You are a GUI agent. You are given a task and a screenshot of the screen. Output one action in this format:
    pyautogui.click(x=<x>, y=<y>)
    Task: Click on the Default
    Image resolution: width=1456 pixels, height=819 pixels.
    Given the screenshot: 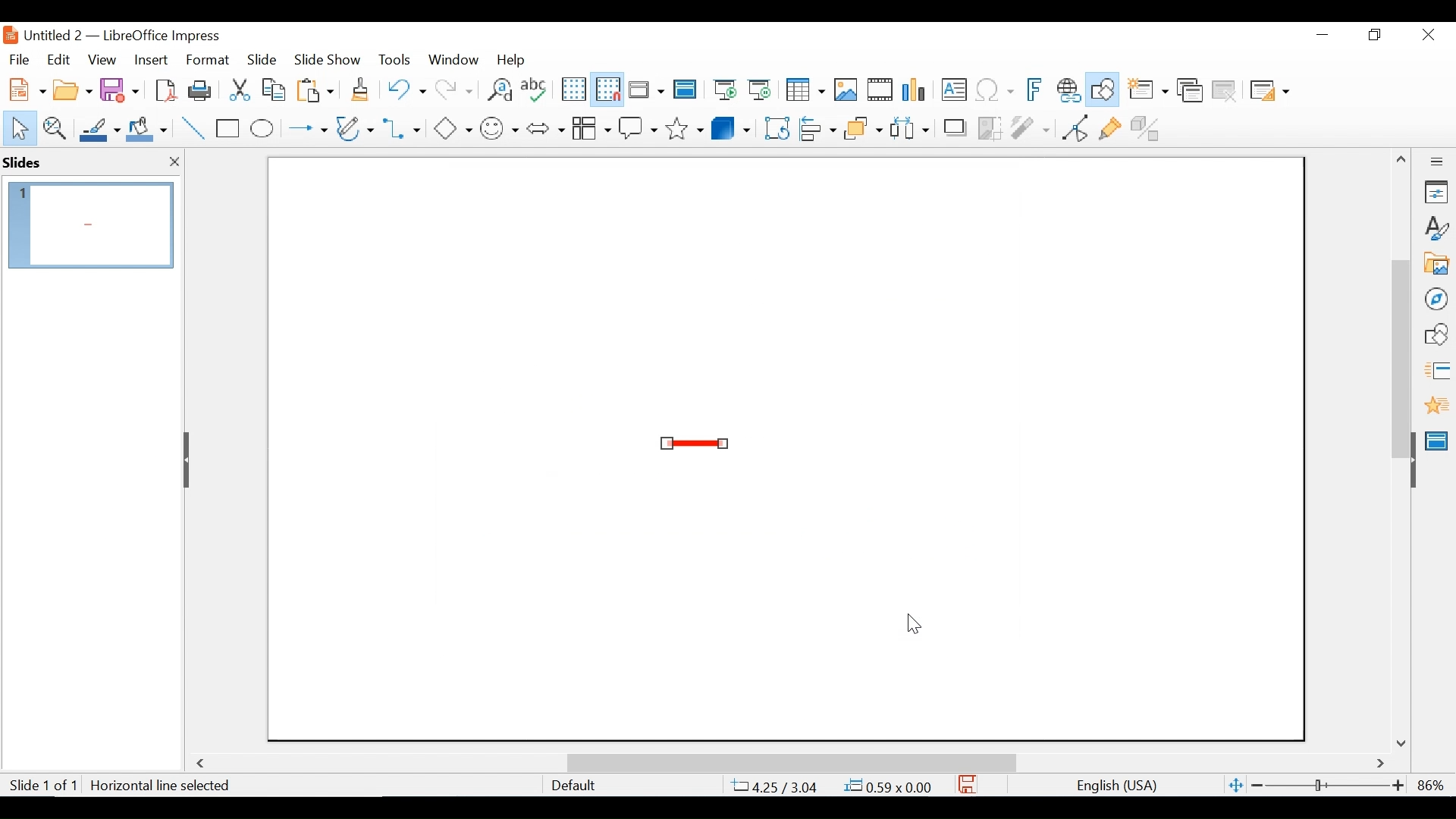 What is the action you would take?
    pyautogui.click(x=573, y=786)
    